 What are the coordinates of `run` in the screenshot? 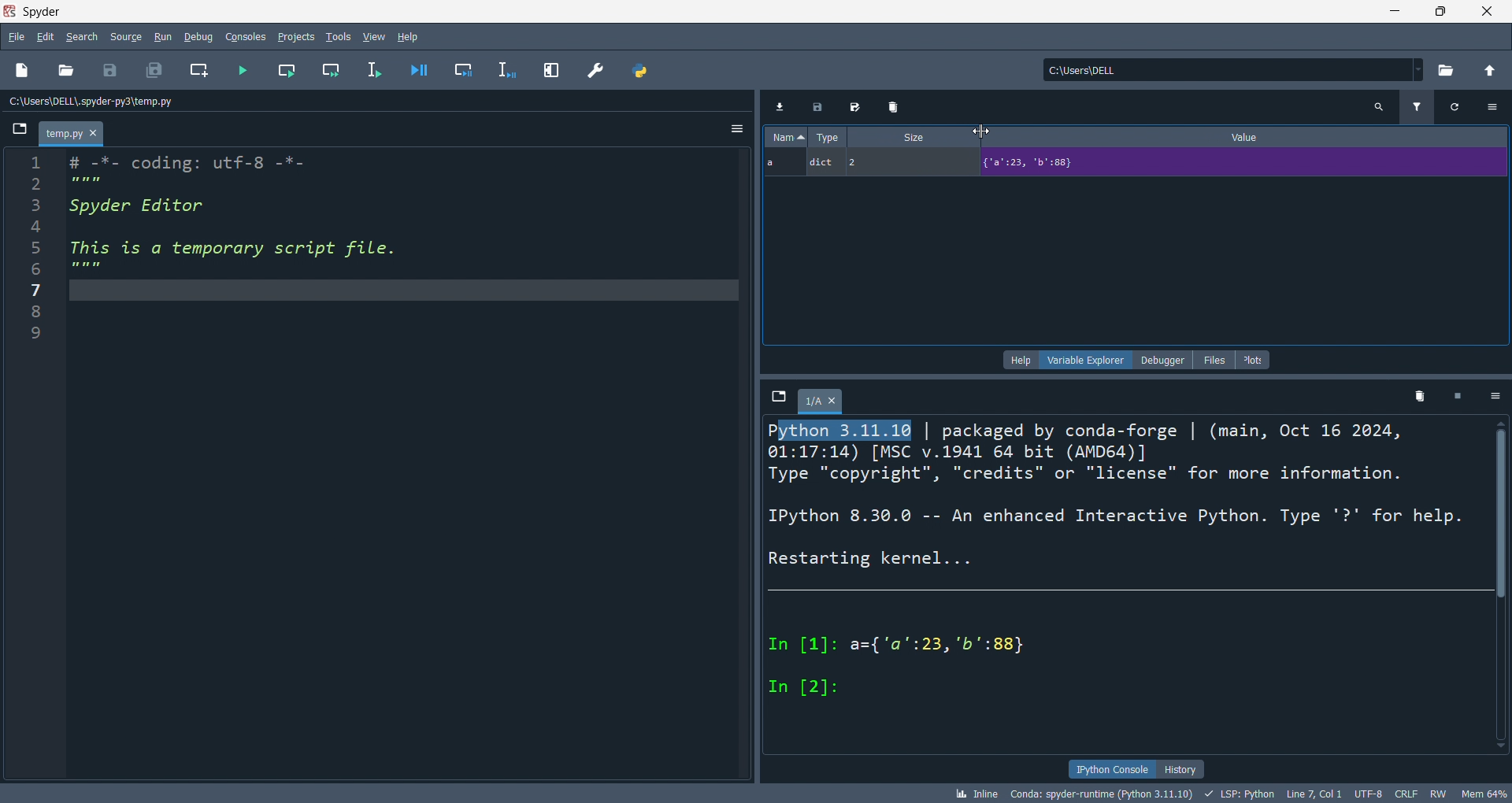 It's located at (163, 35).